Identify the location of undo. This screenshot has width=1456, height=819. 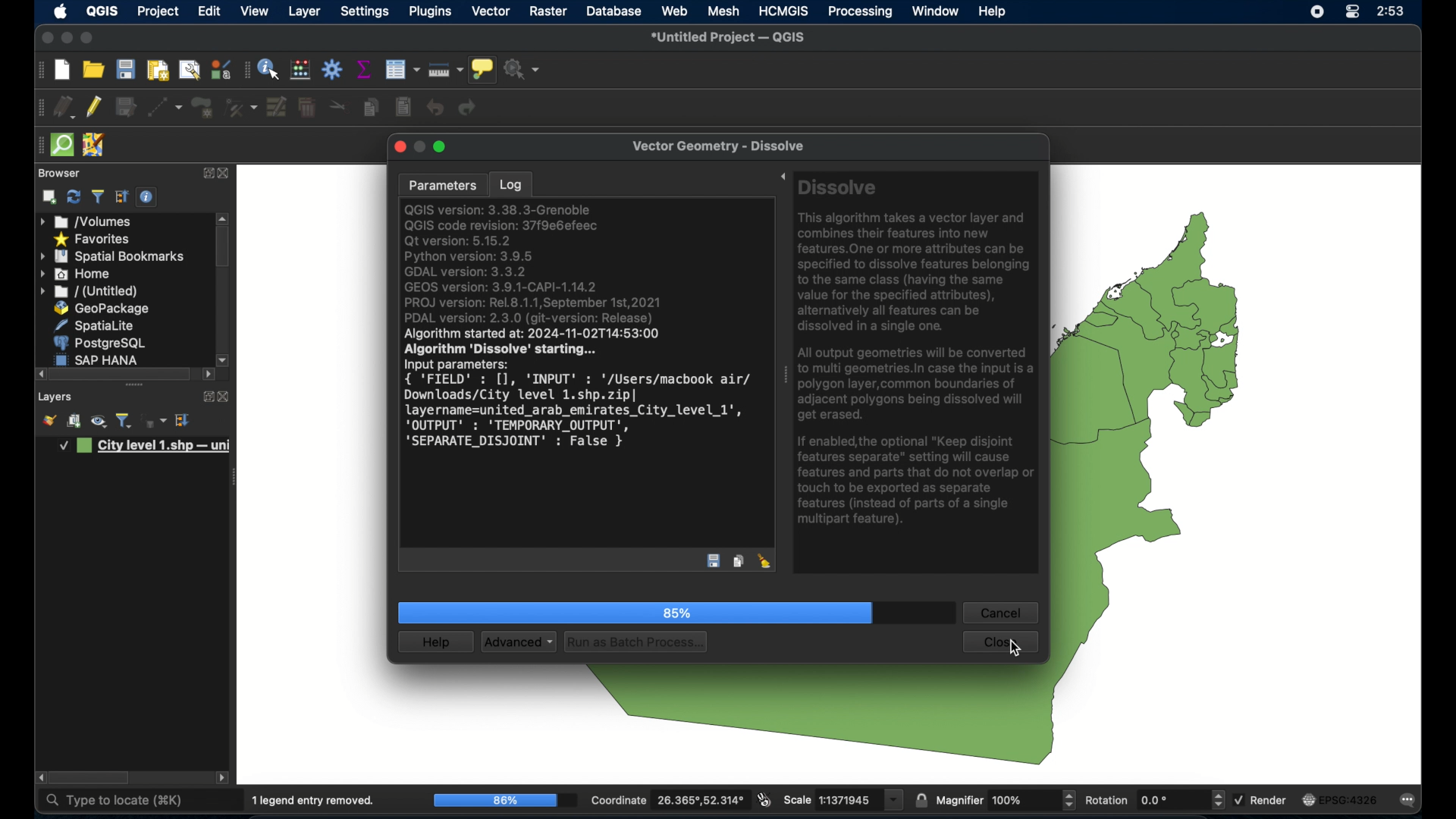
(435, 108).